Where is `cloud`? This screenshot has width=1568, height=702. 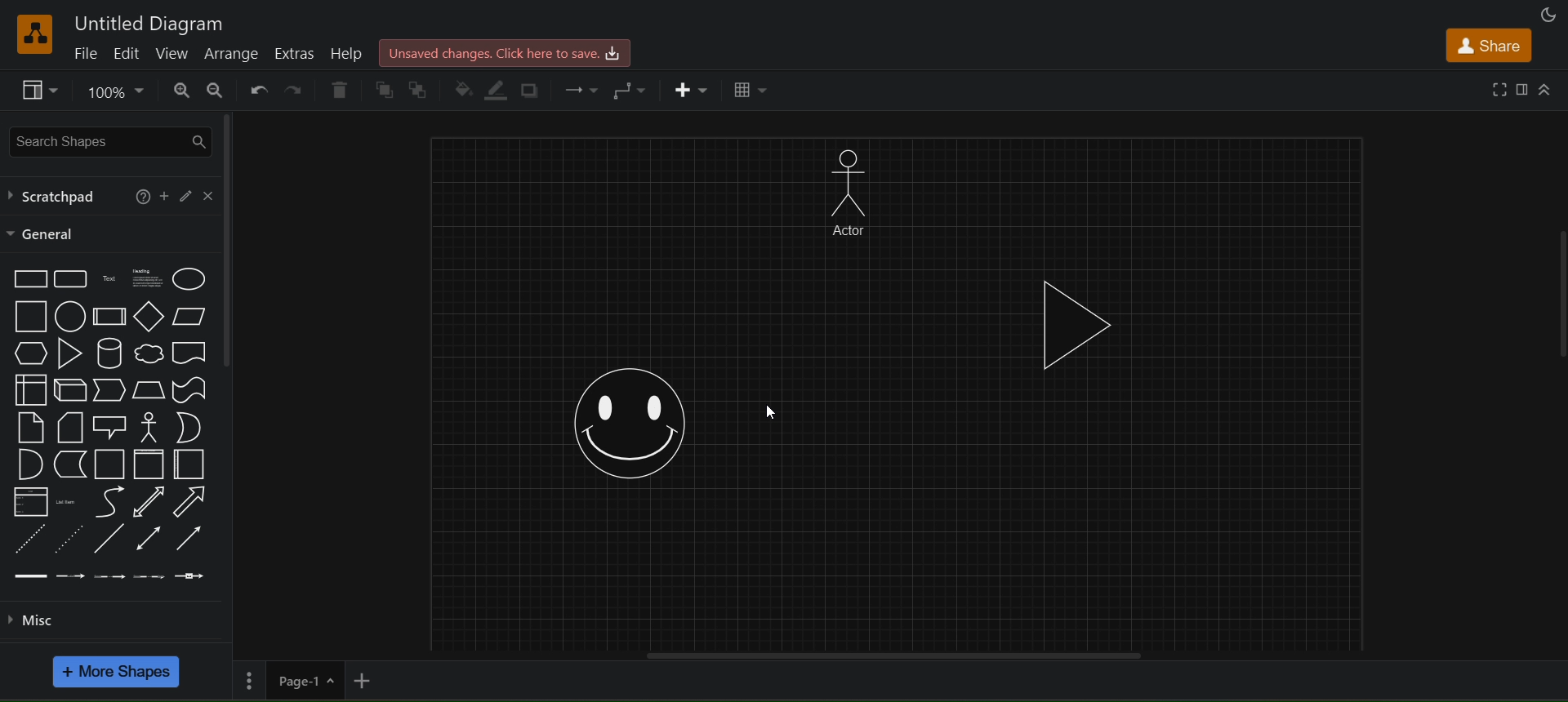 cloud is located at coordinates (149, 353).